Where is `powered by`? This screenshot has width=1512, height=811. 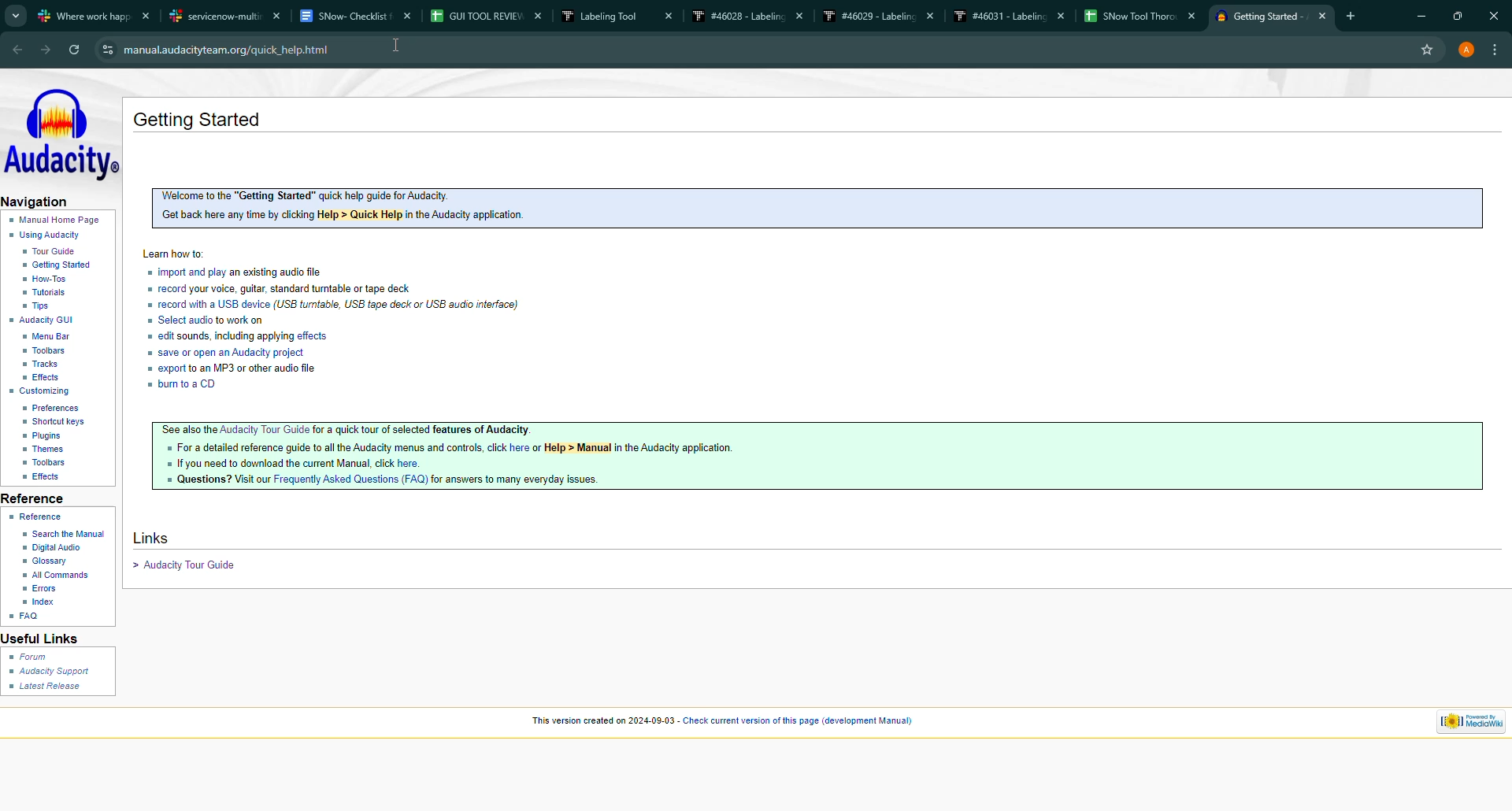
powered by is located at coordinates (1472, 722).